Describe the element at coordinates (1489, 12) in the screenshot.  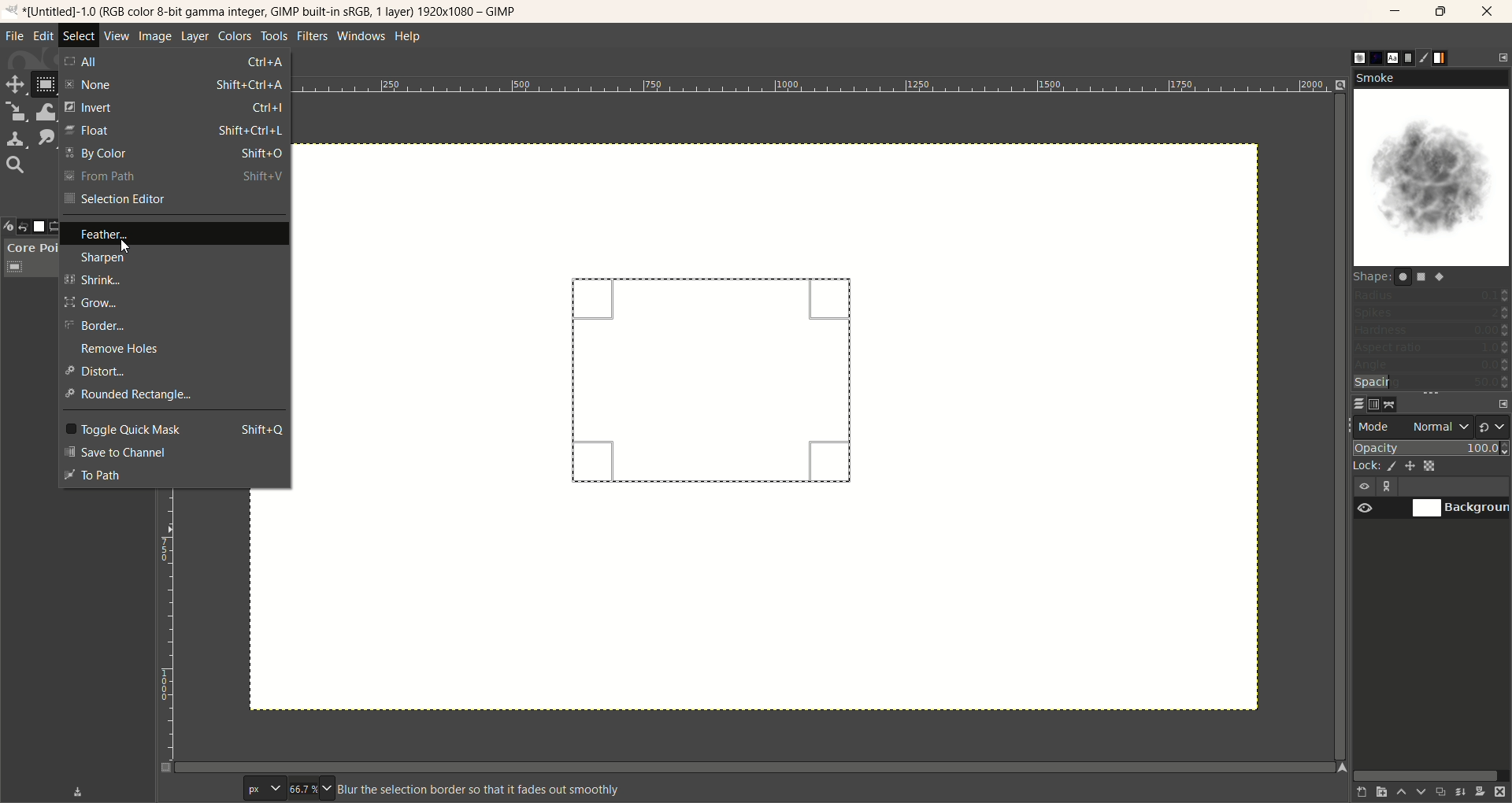
I see `close` at that location.